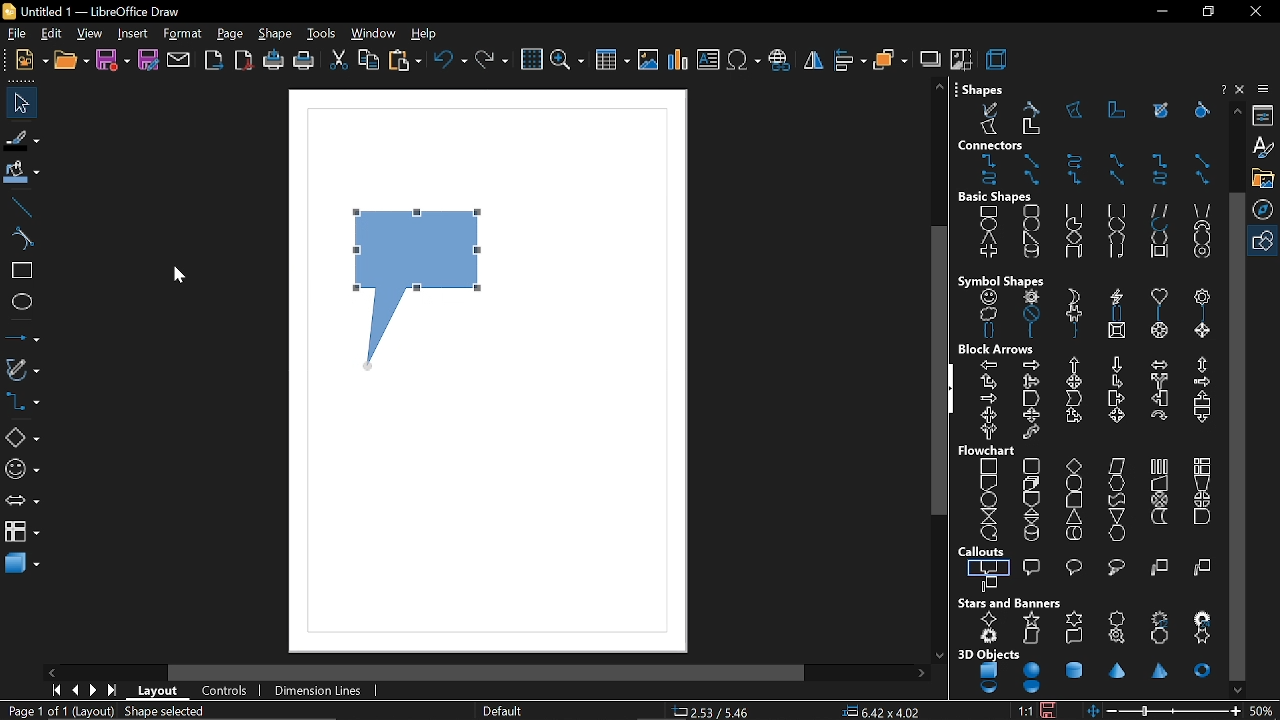  What do you see at coordinates (1074, 398) in the screenshot?
I see `chevron` at bounding box center [1074, 398].